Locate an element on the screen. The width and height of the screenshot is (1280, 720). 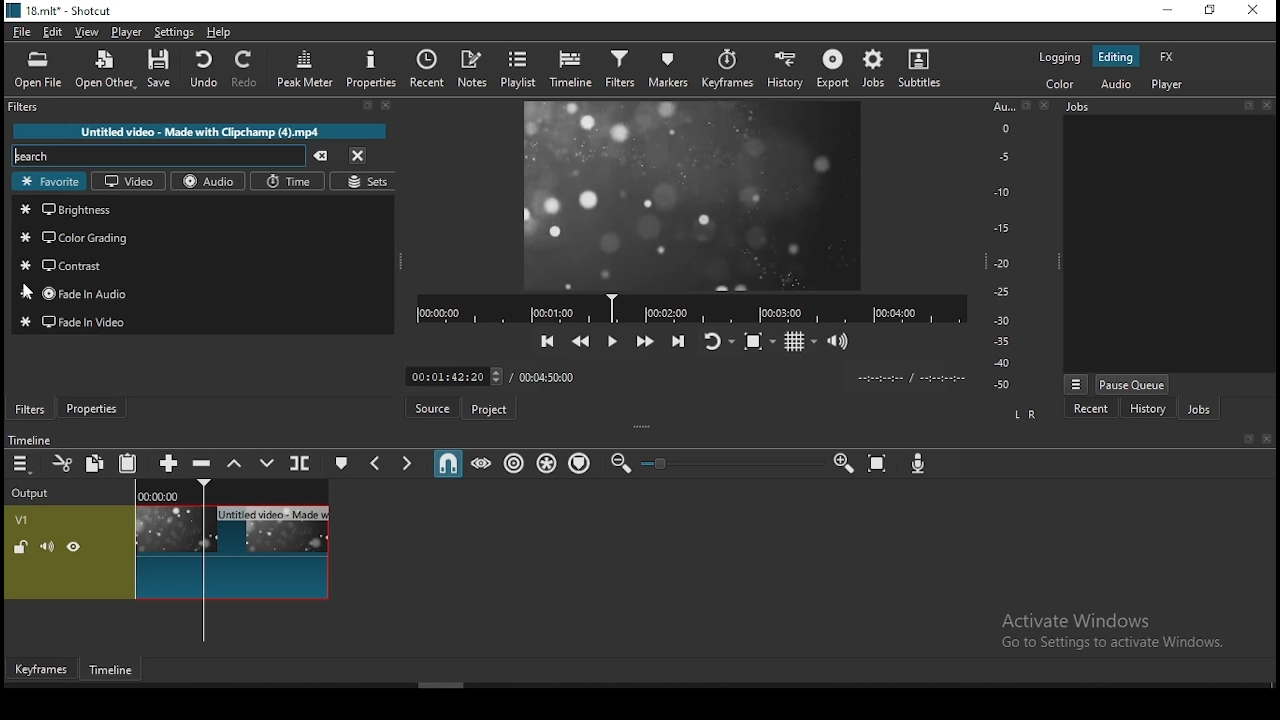
Close is located at coordinates (1266, 105).